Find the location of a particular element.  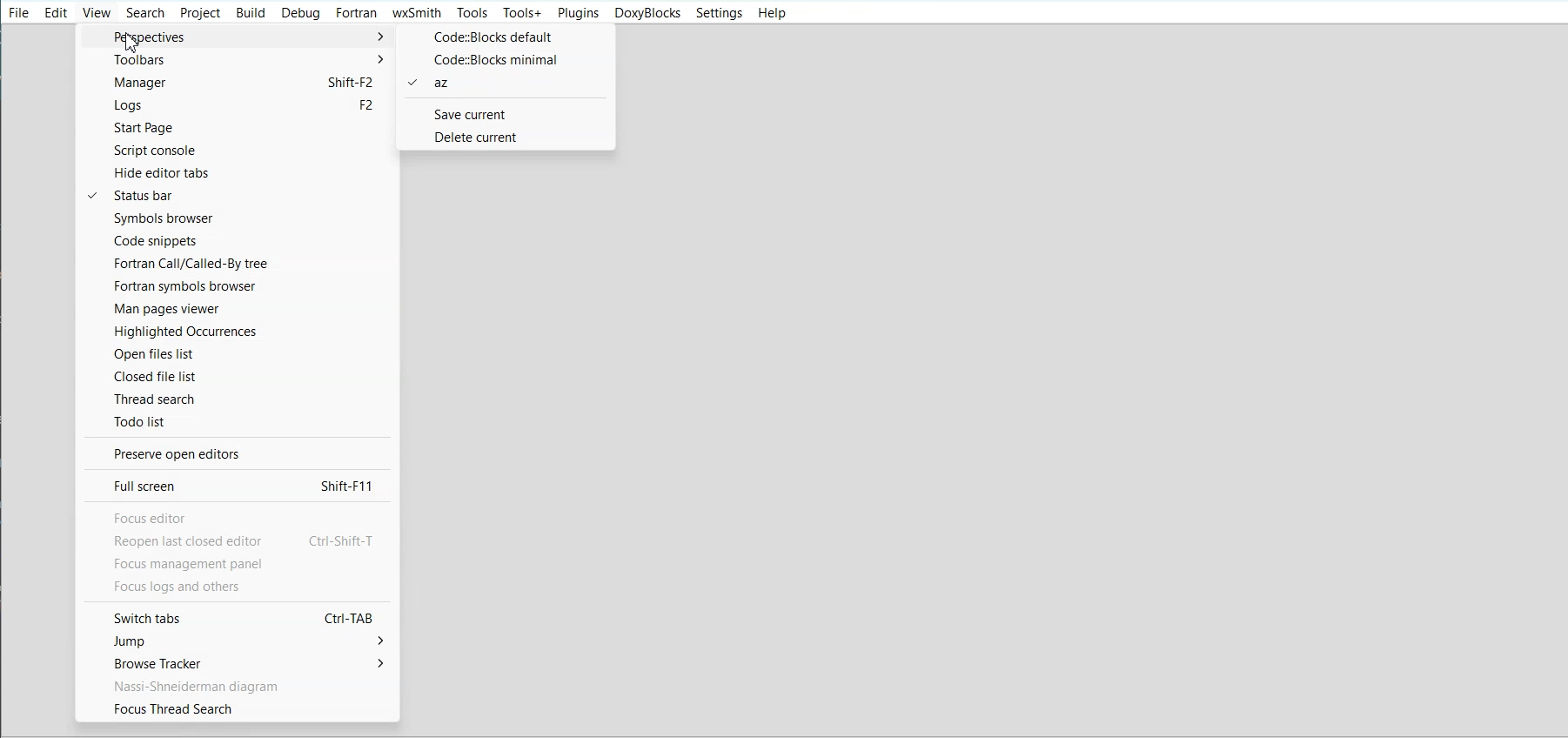

Delete current is located at coordinates (501, 138).